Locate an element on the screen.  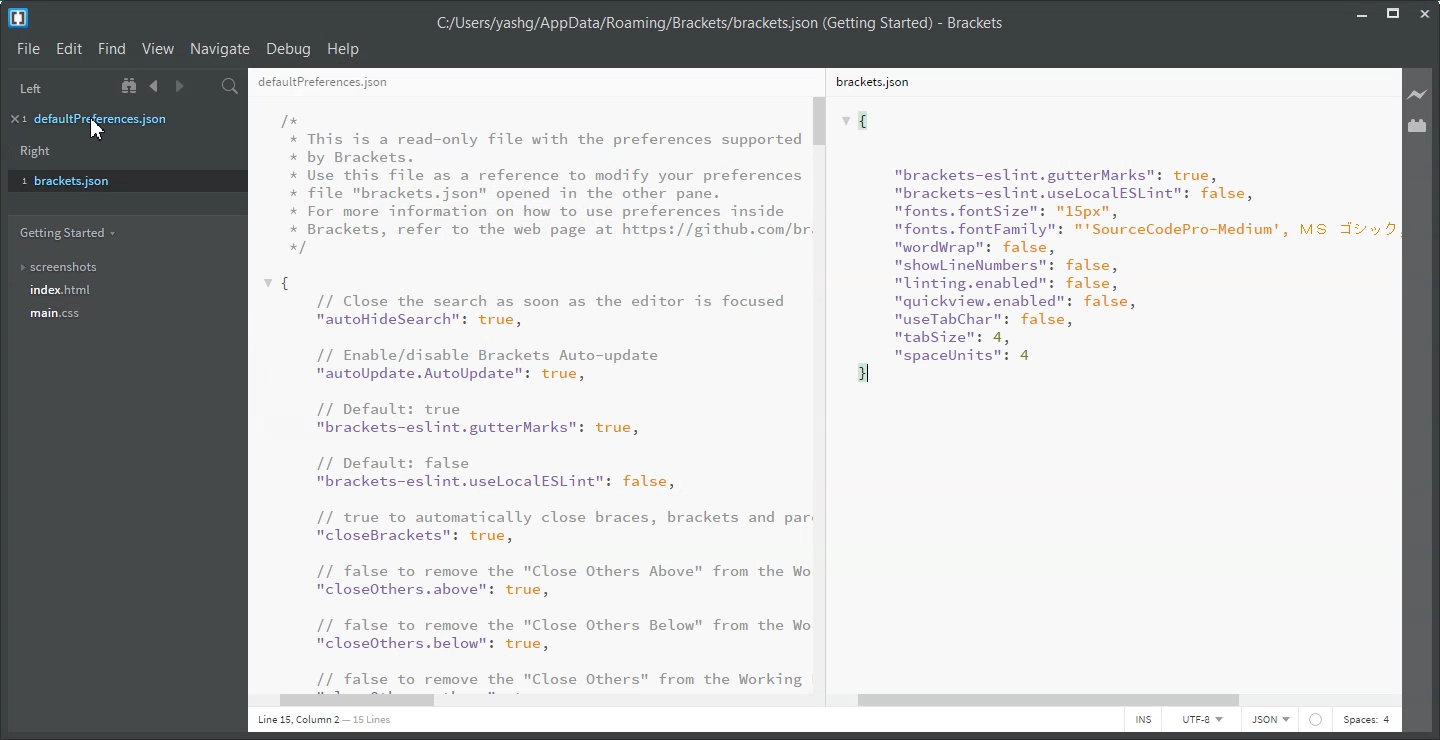
Left Panel is located at coordinates (30, 87).